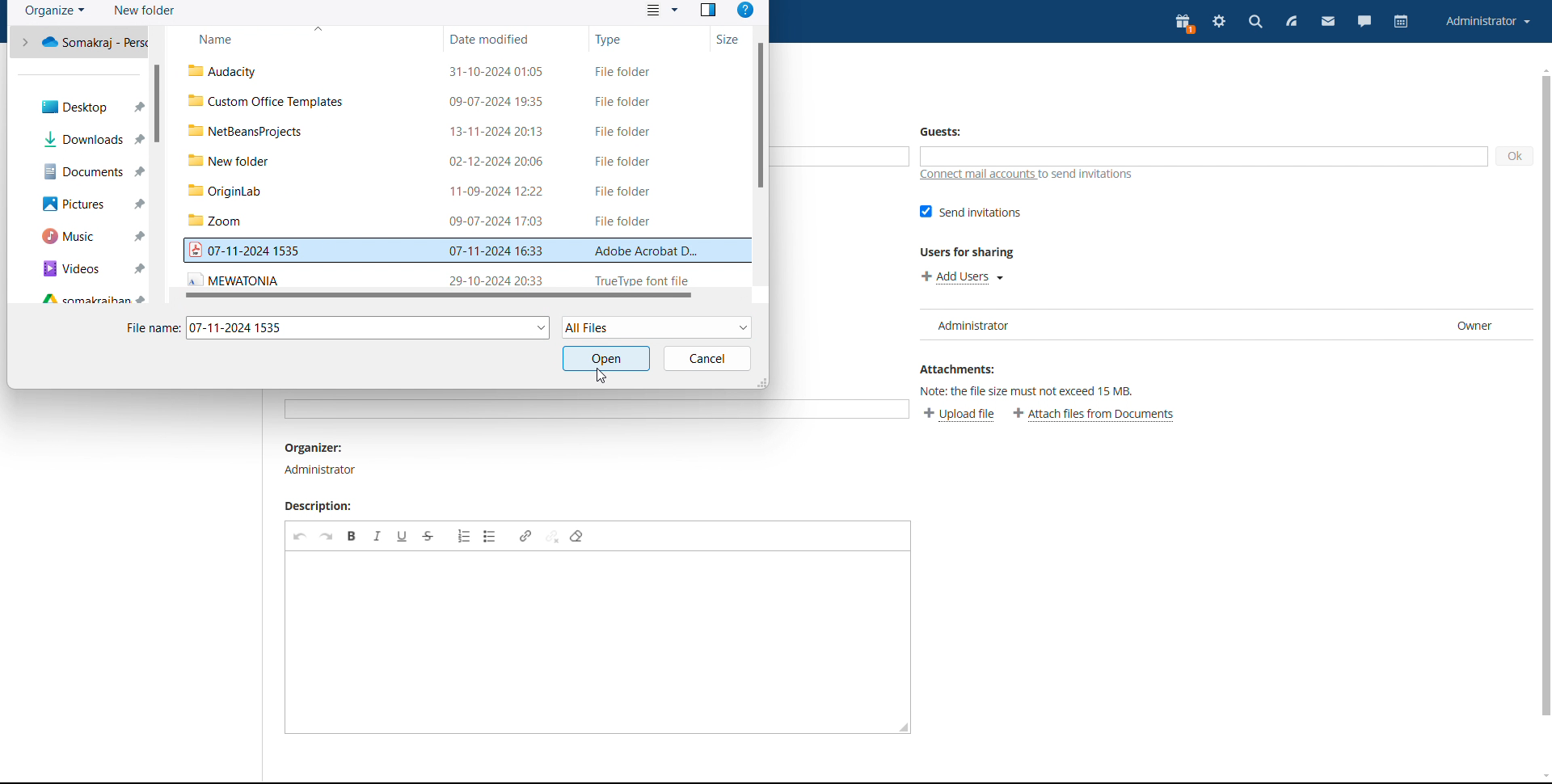 This screenshot has height=784, width=1552. Describe the element at coordinates (437, 295) in the screenshot. I see `s` at that location.